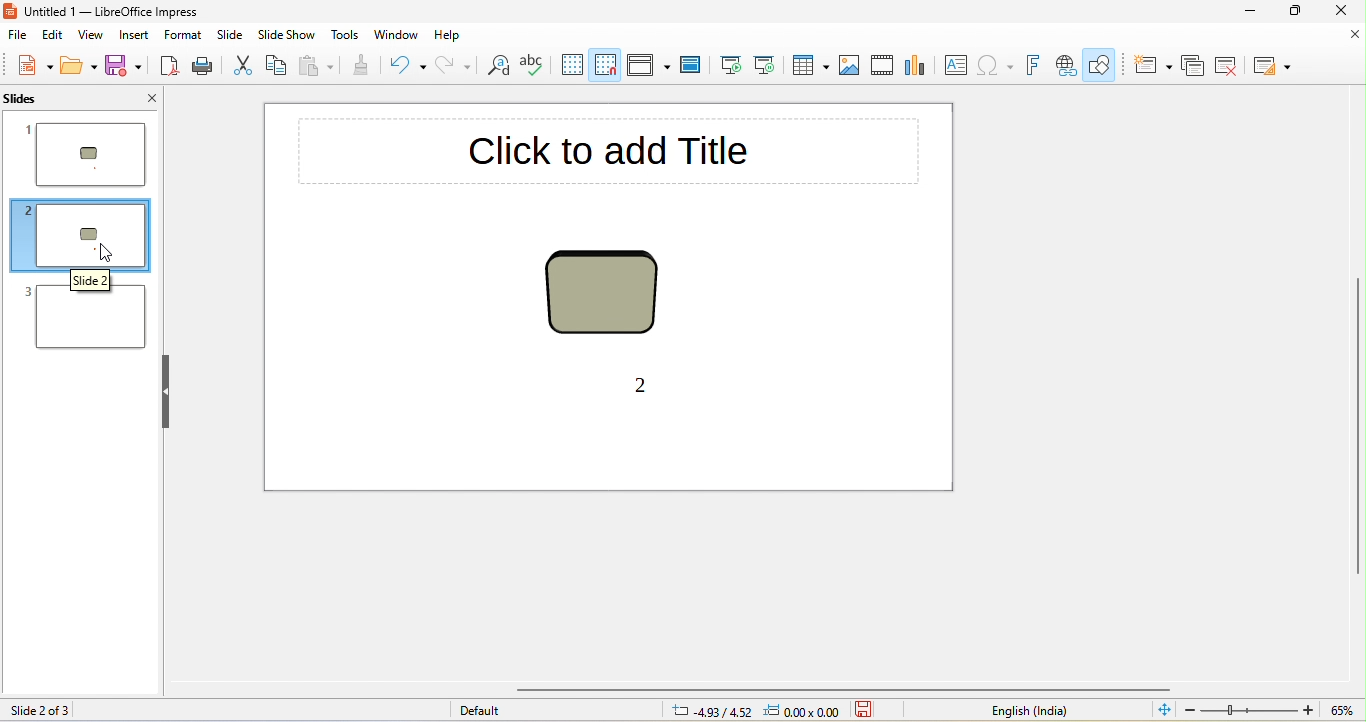 This screenshot has height=722, width=1366. I want to click on hyperlink, so click(1065, 65).